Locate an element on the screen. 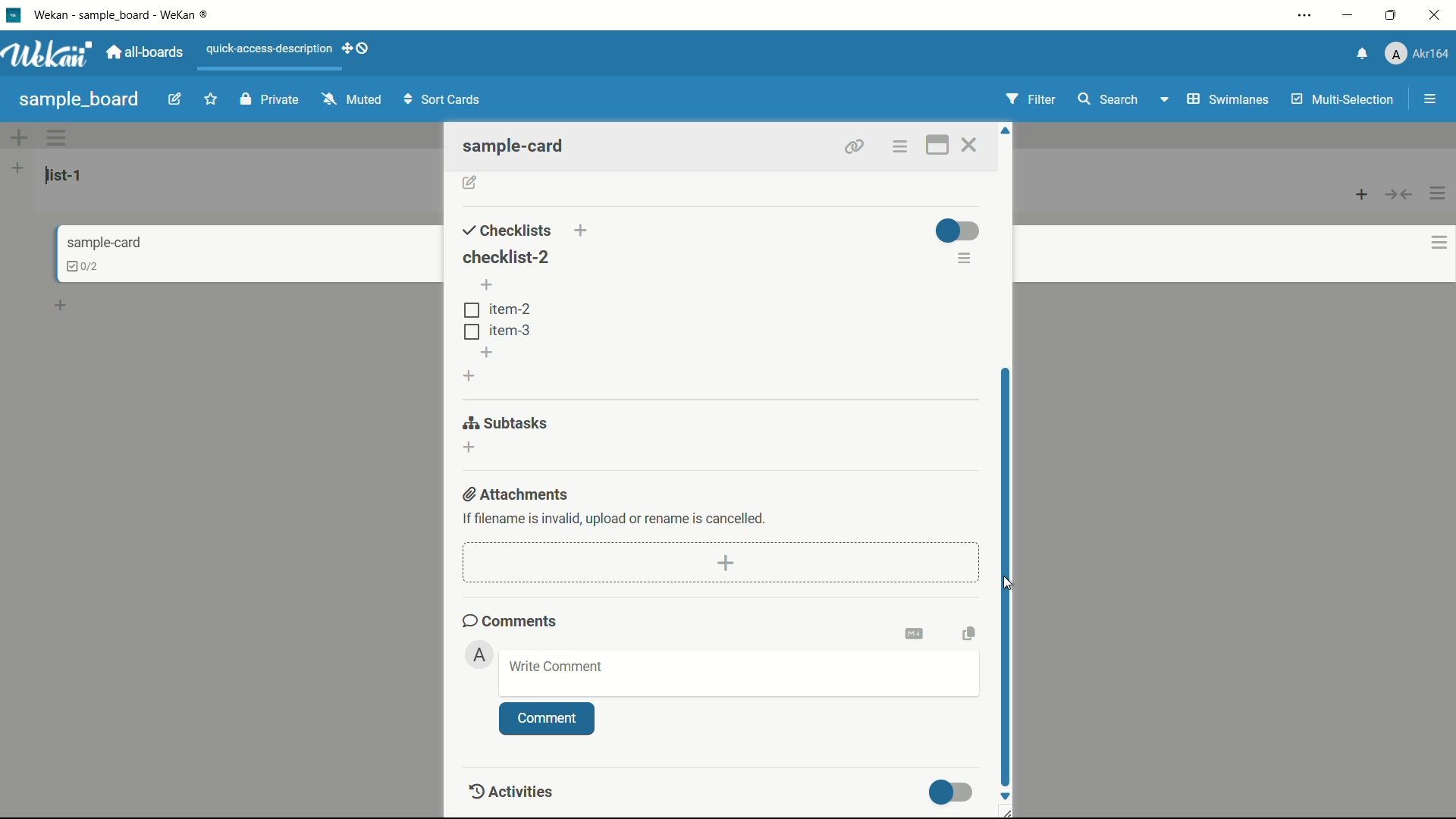 This screenshot has width=1456, height=819. card actions is located at coordinates (1428, 243).